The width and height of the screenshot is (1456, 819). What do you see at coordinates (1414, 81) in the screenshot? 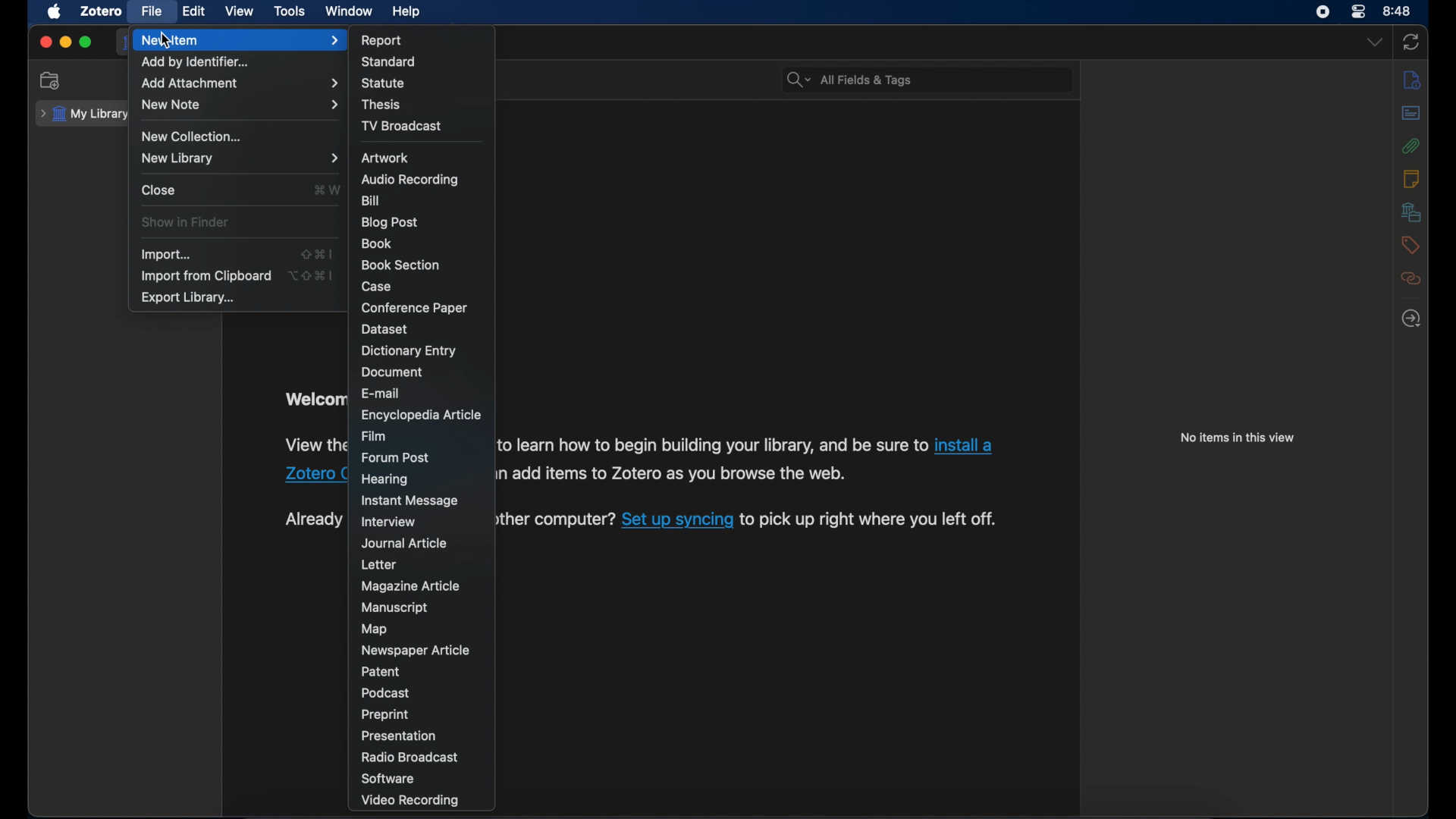
I see `info` at bounding box center [1414, 81].